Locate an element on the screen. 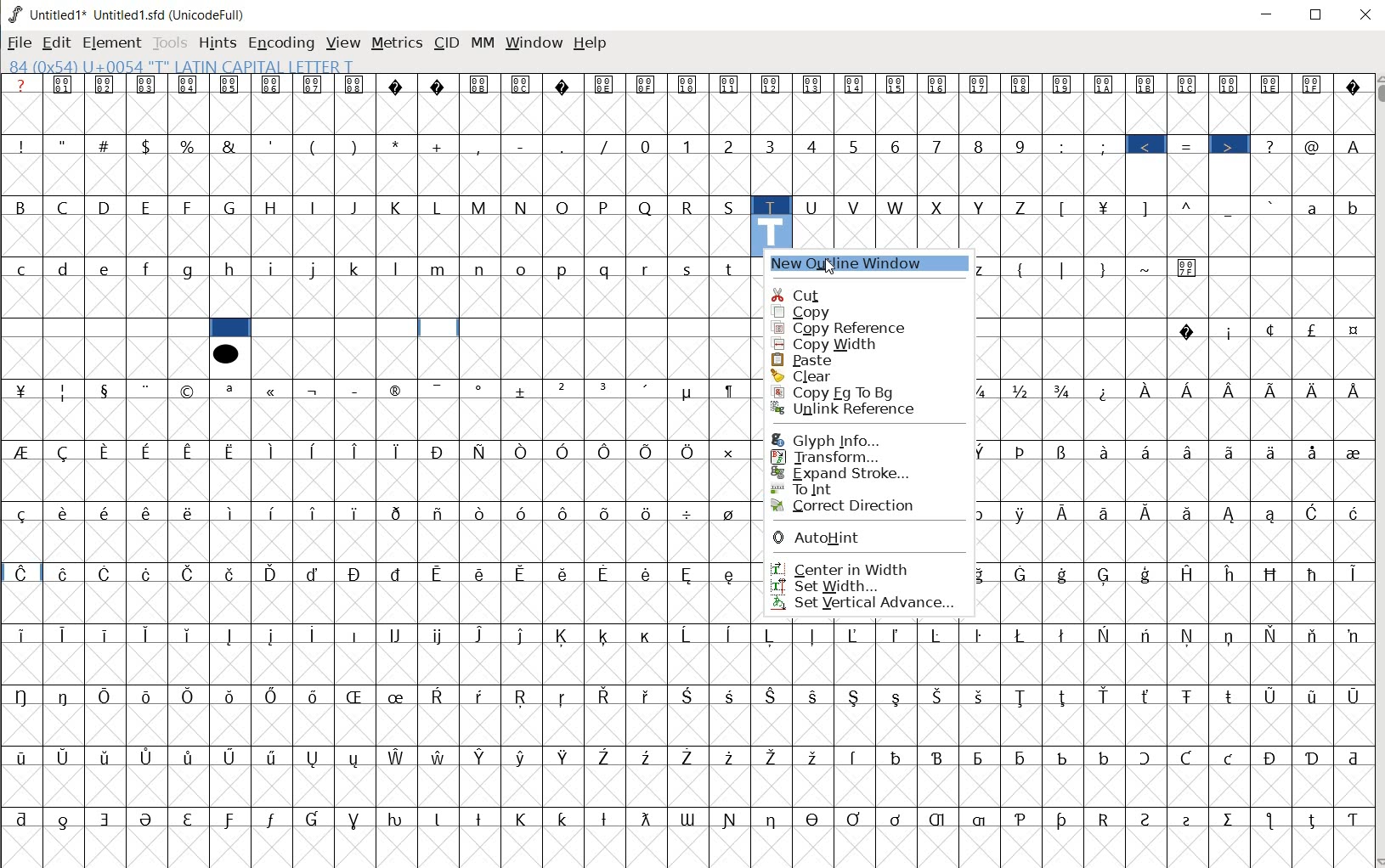  1 is located at coordinates (688, 144).